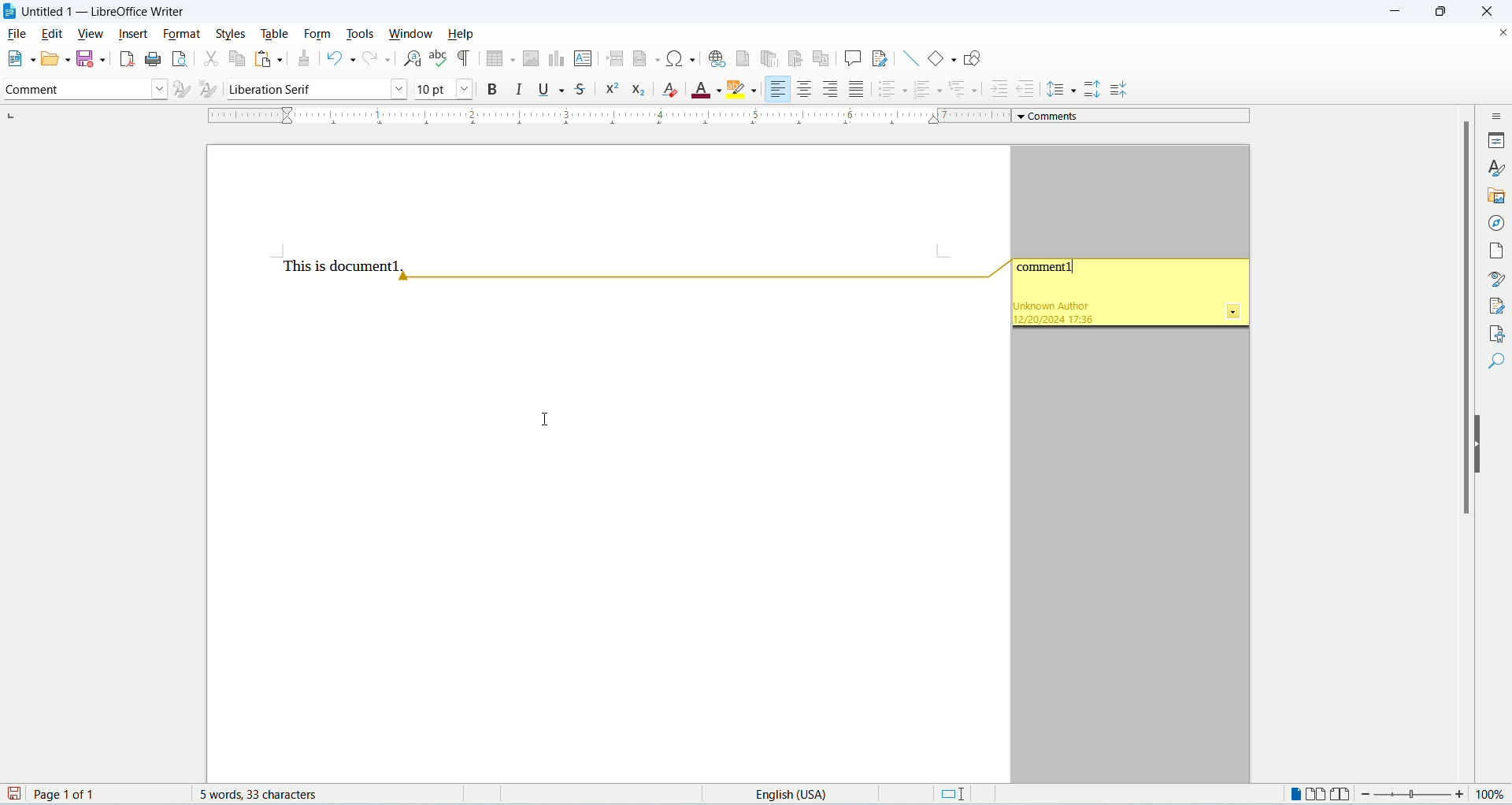  I want to click on zoom bar, so click(1414, 793).